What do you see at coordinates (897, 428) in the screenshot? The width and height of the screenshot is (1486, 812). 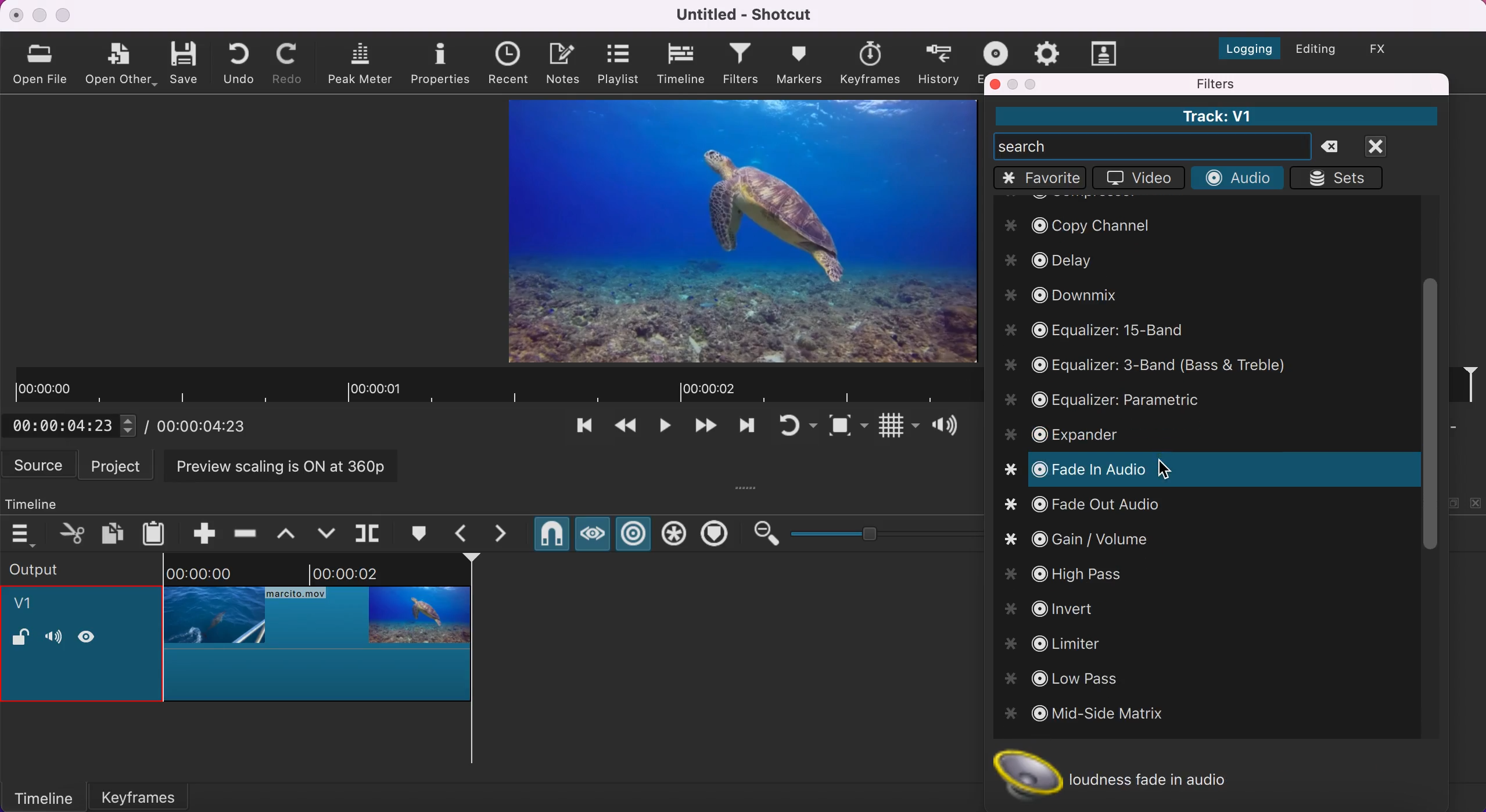 I see `toggle grid display on the player` at bounding box center [897, 428].